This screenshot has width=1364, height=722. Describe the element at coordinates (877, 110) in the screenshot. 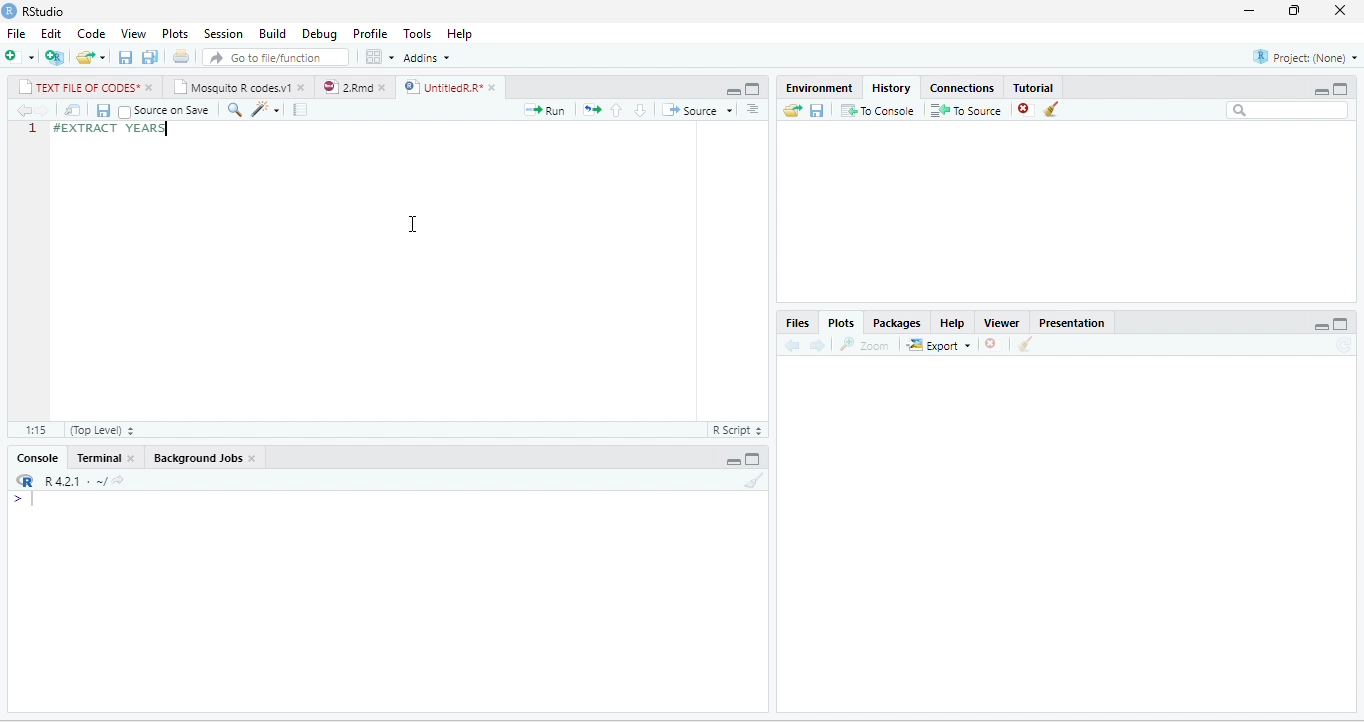

I see `To Console` at that location.